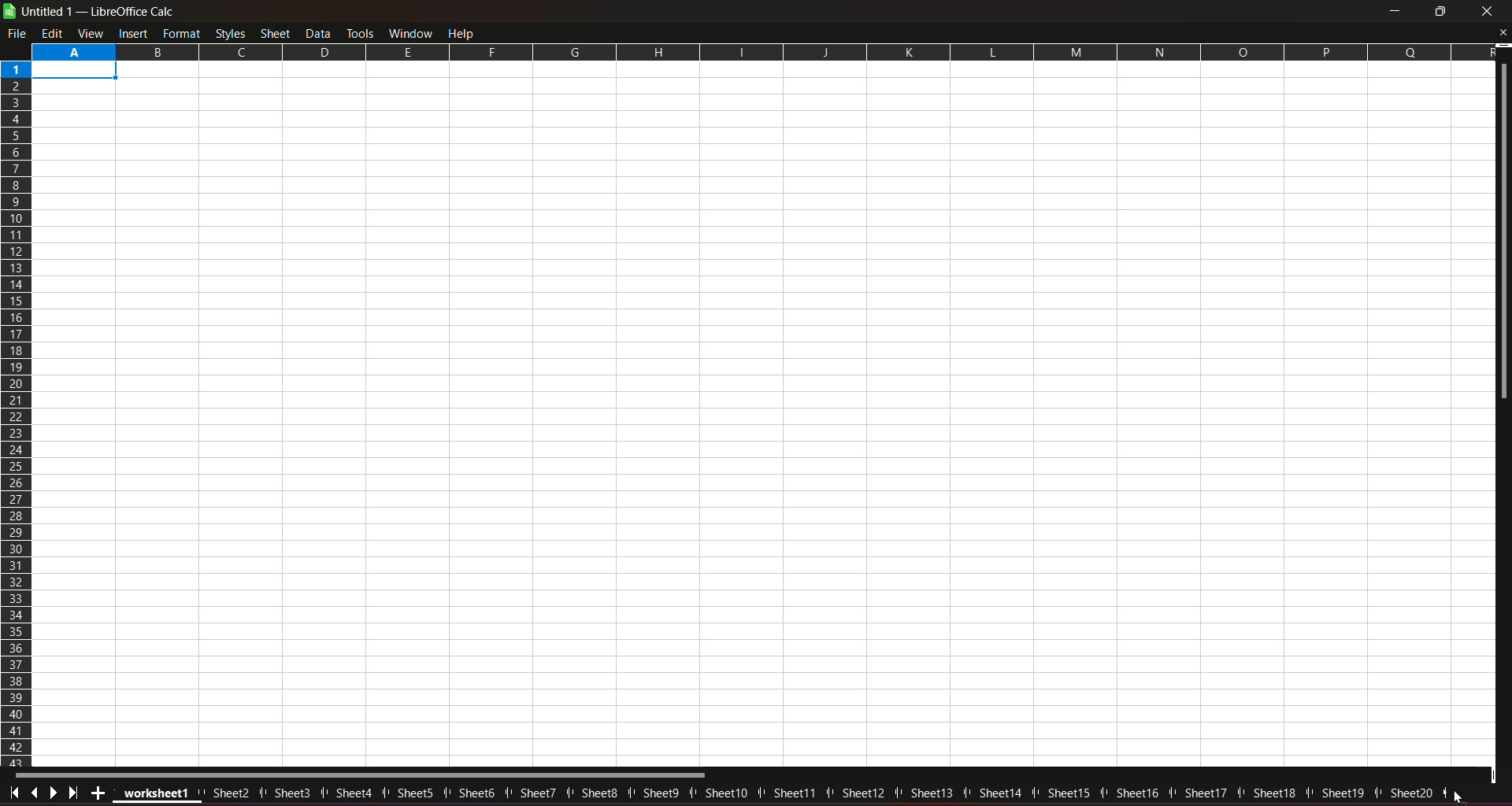 This screenshot has height=806, width=1512. I want to click on previous sheet, so click(36, 791).